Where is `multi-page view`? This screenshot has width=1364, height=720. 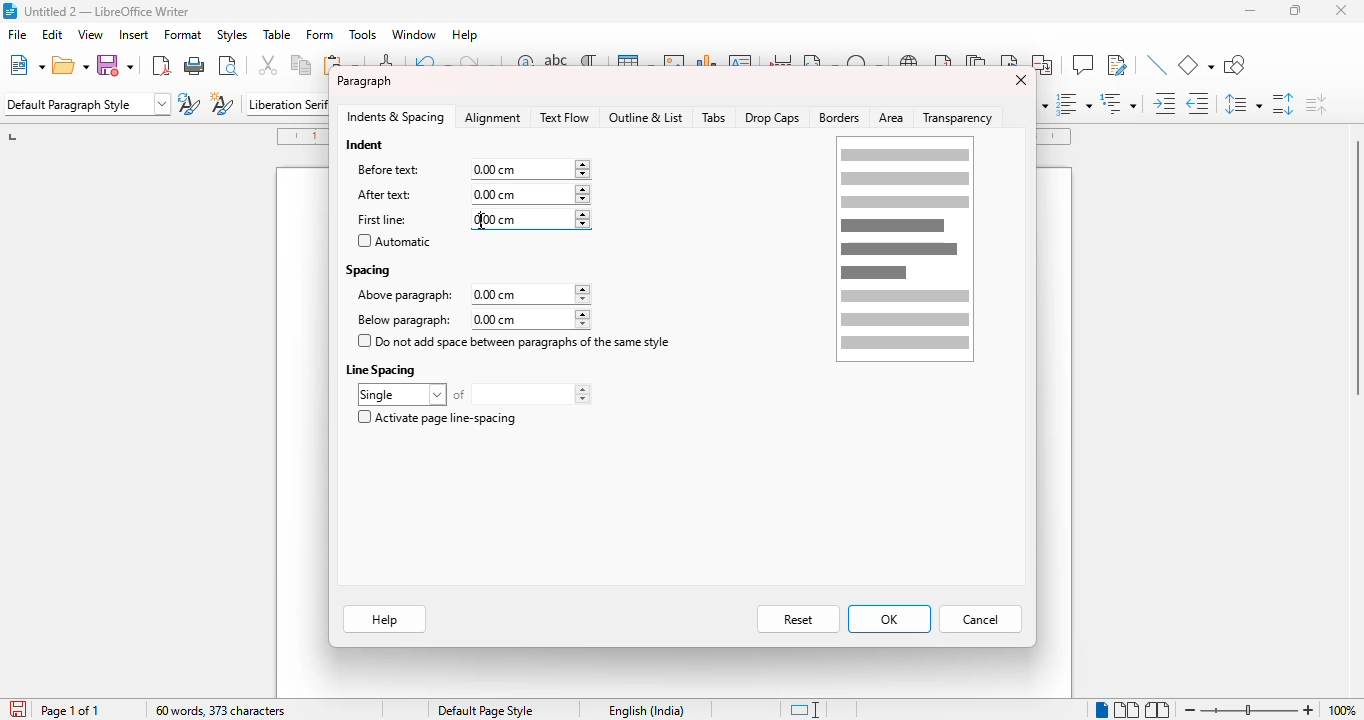
multi-page view is located at coordinates (1127, 709).